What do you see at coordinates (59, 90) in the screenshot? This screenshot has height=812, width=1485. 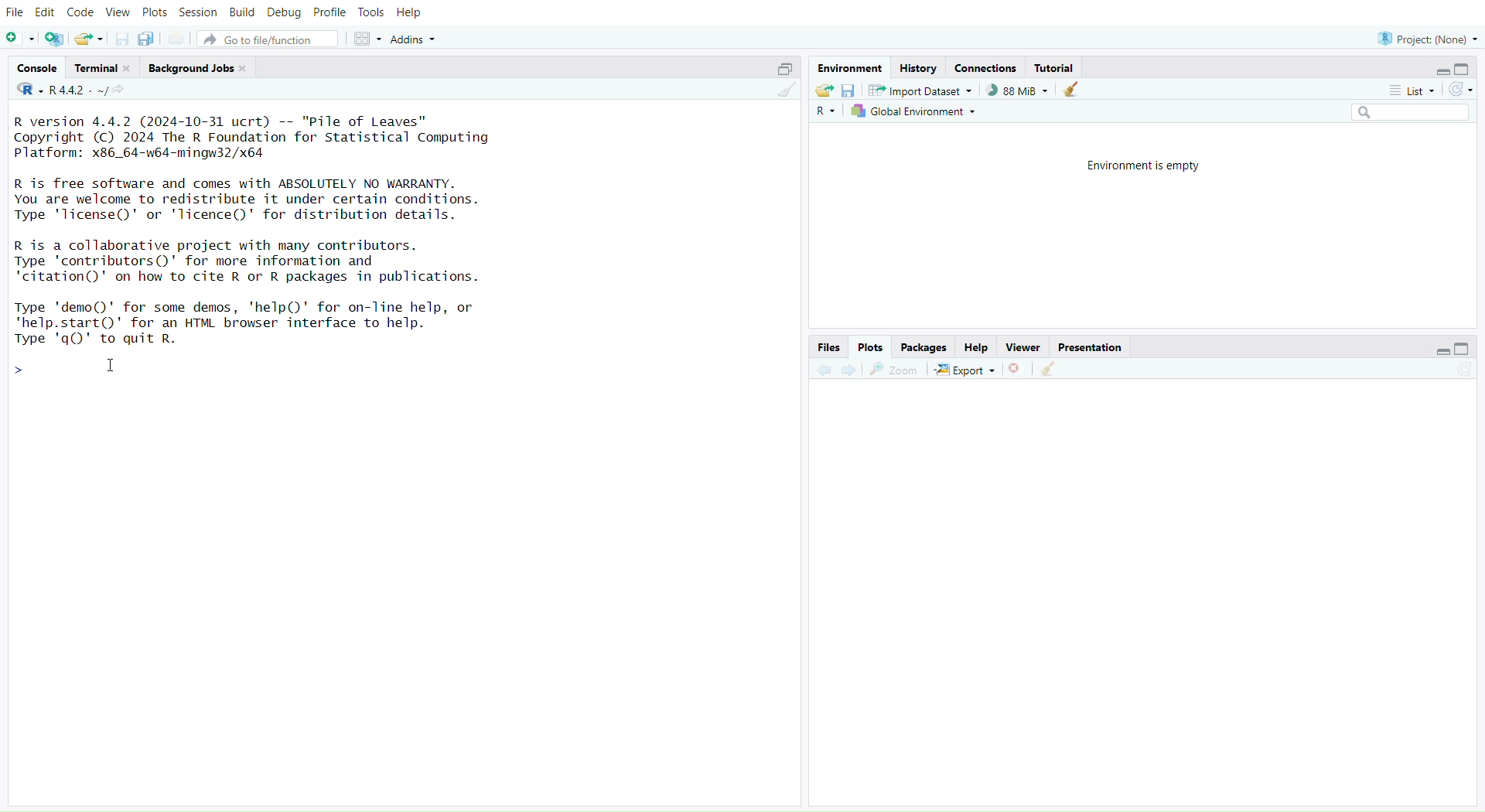 I see `R 4.4.2` at bounding box center [59, 90].